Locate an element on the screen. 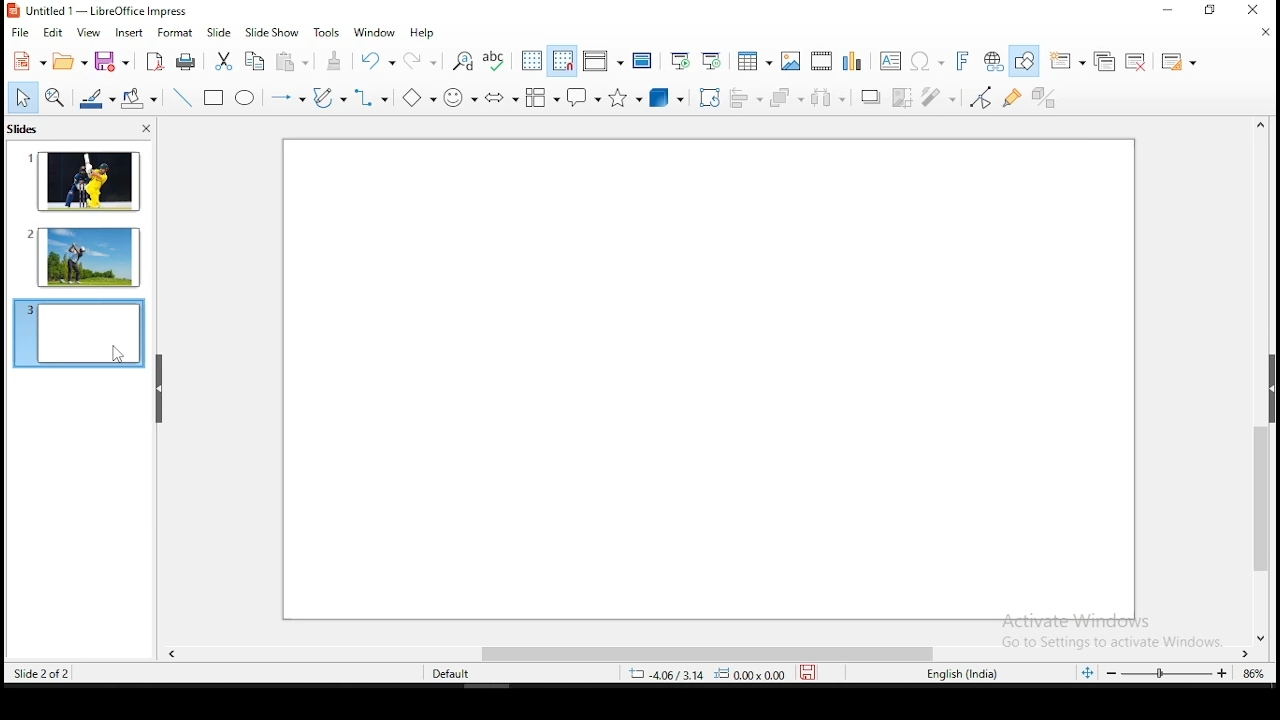 The height and width of the screenshot is (720, 1280). line color is located at coordinates (95, 99).